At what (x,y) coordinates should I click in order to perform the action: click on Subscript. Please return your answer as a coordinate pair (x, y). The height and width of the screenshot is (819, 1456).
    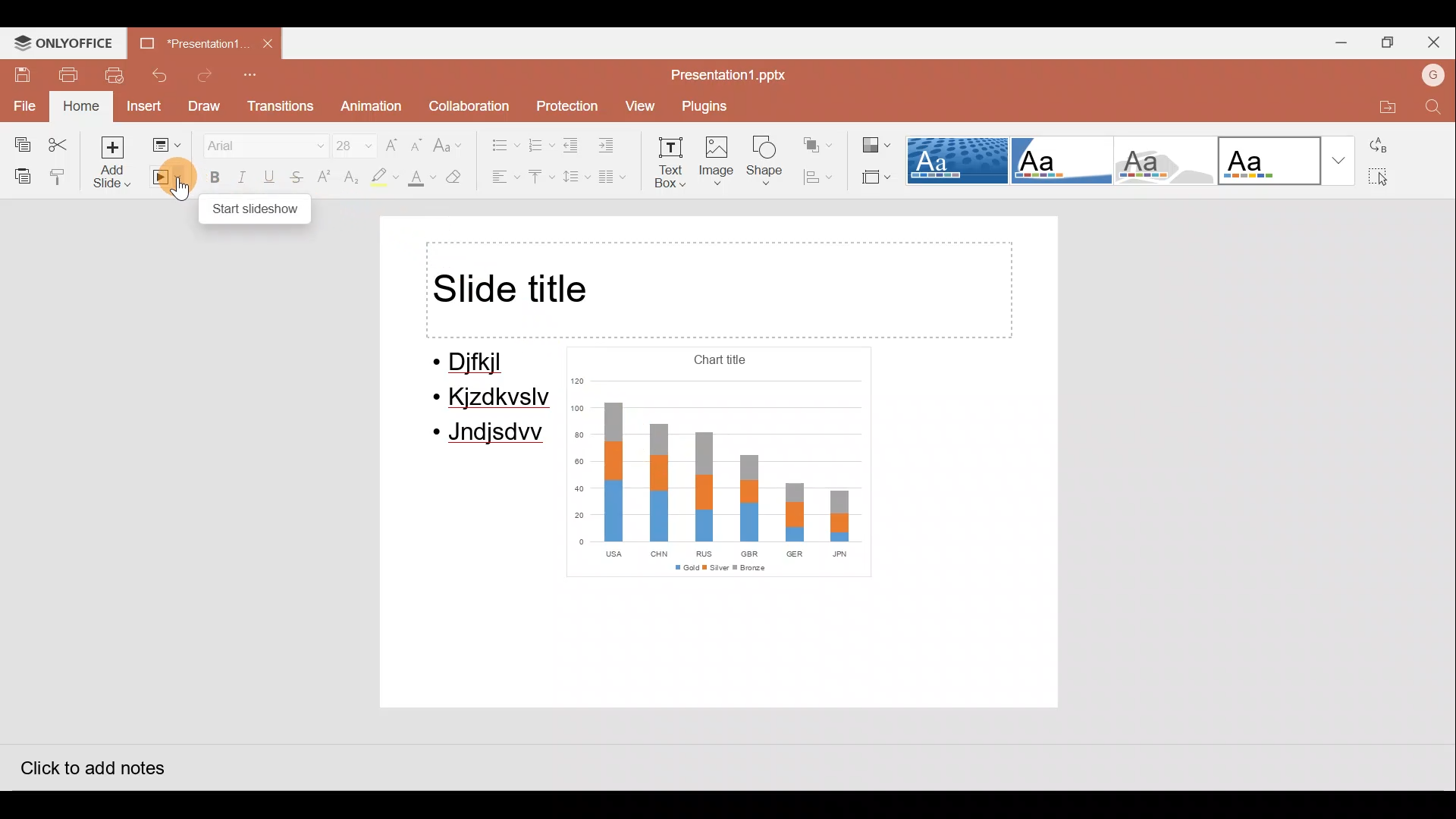
    Looking at the image, I should click on (349, 178).